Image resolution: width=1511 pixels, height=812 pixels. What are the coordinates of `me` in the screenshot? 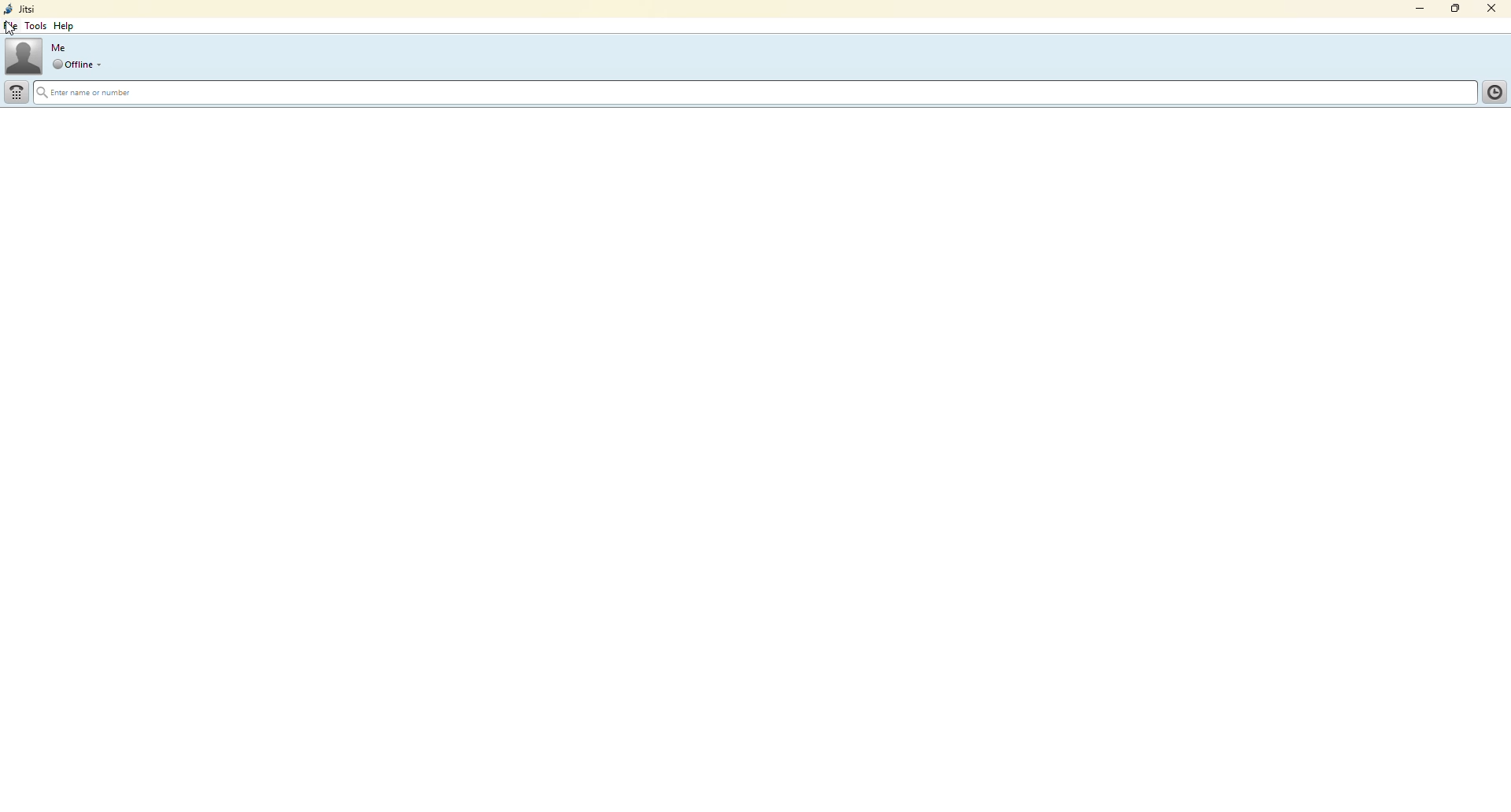 It's located at (58, 47).